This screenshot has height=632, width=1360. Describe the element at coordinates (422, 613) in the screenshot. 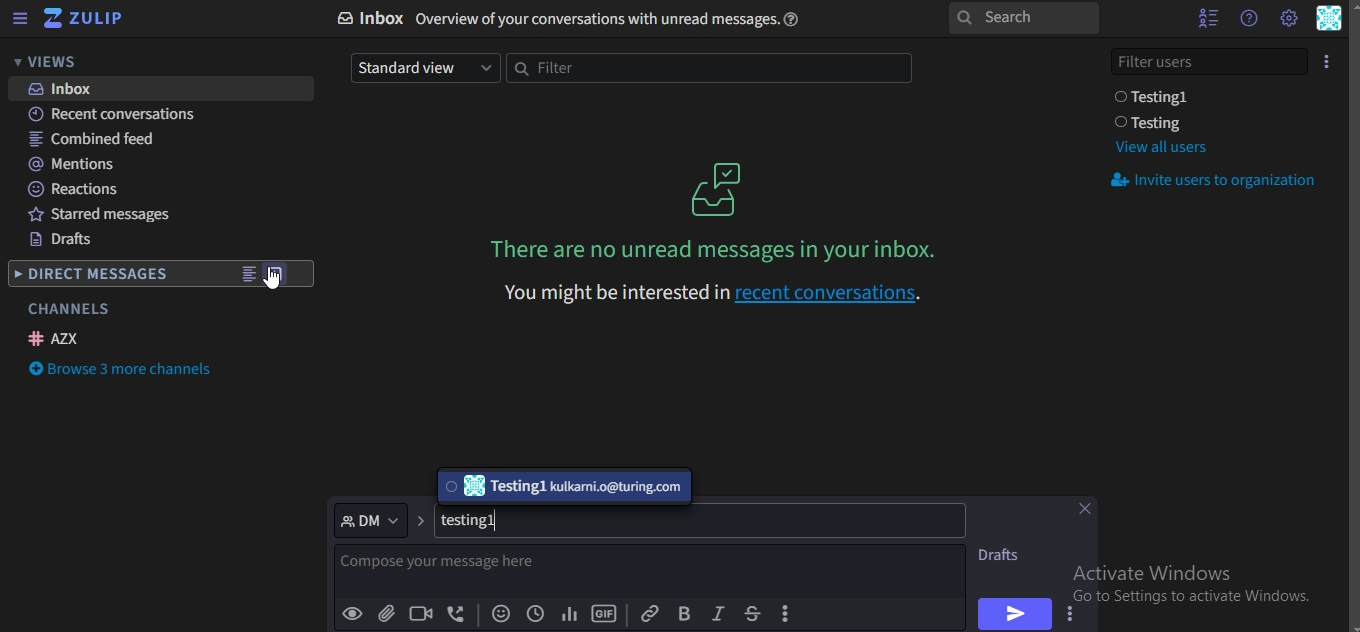

I see `add video call` at that location.